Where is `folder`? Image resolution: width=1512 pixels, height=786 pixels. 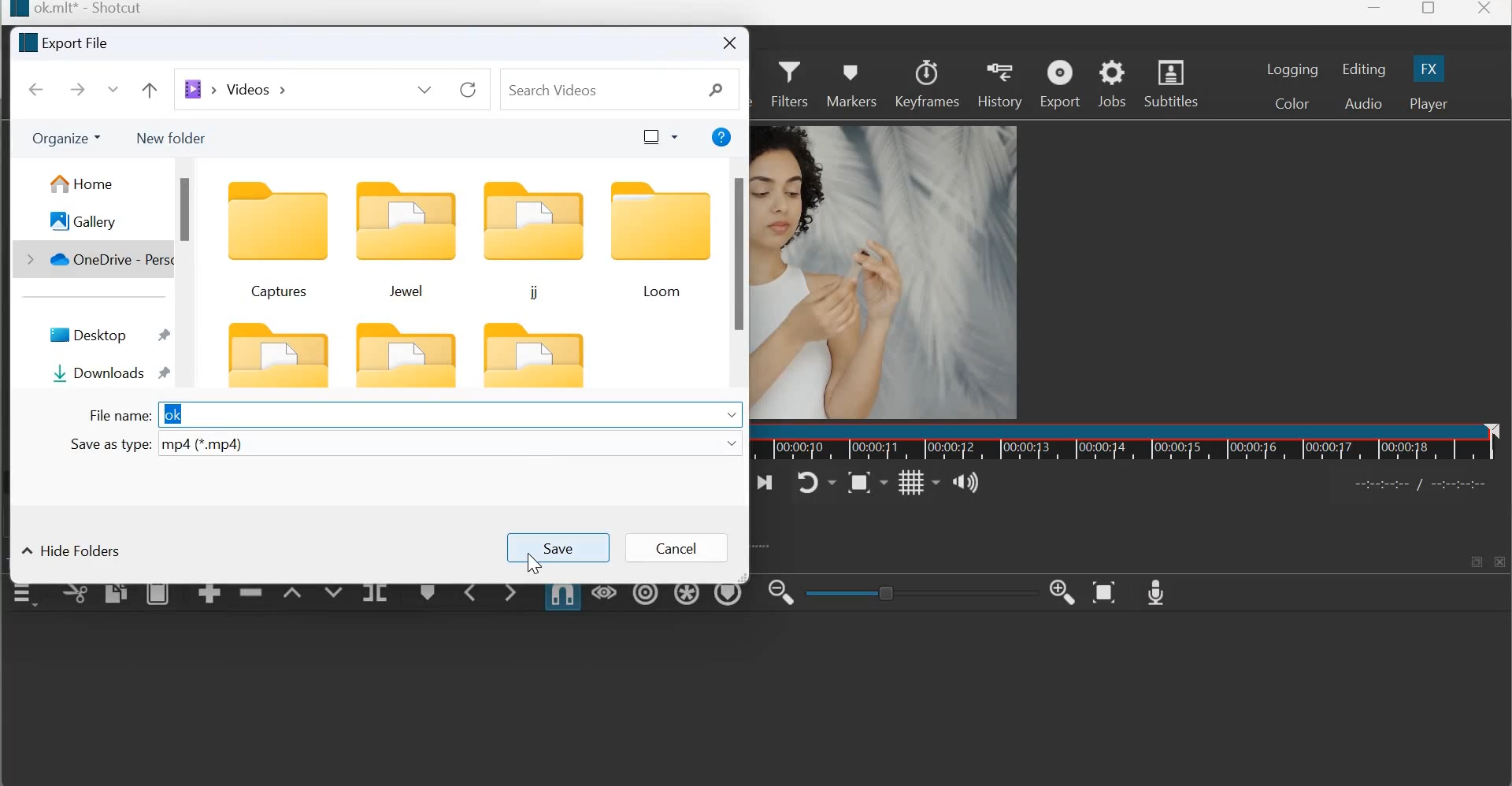 folder is located at coordinates (276, 353).